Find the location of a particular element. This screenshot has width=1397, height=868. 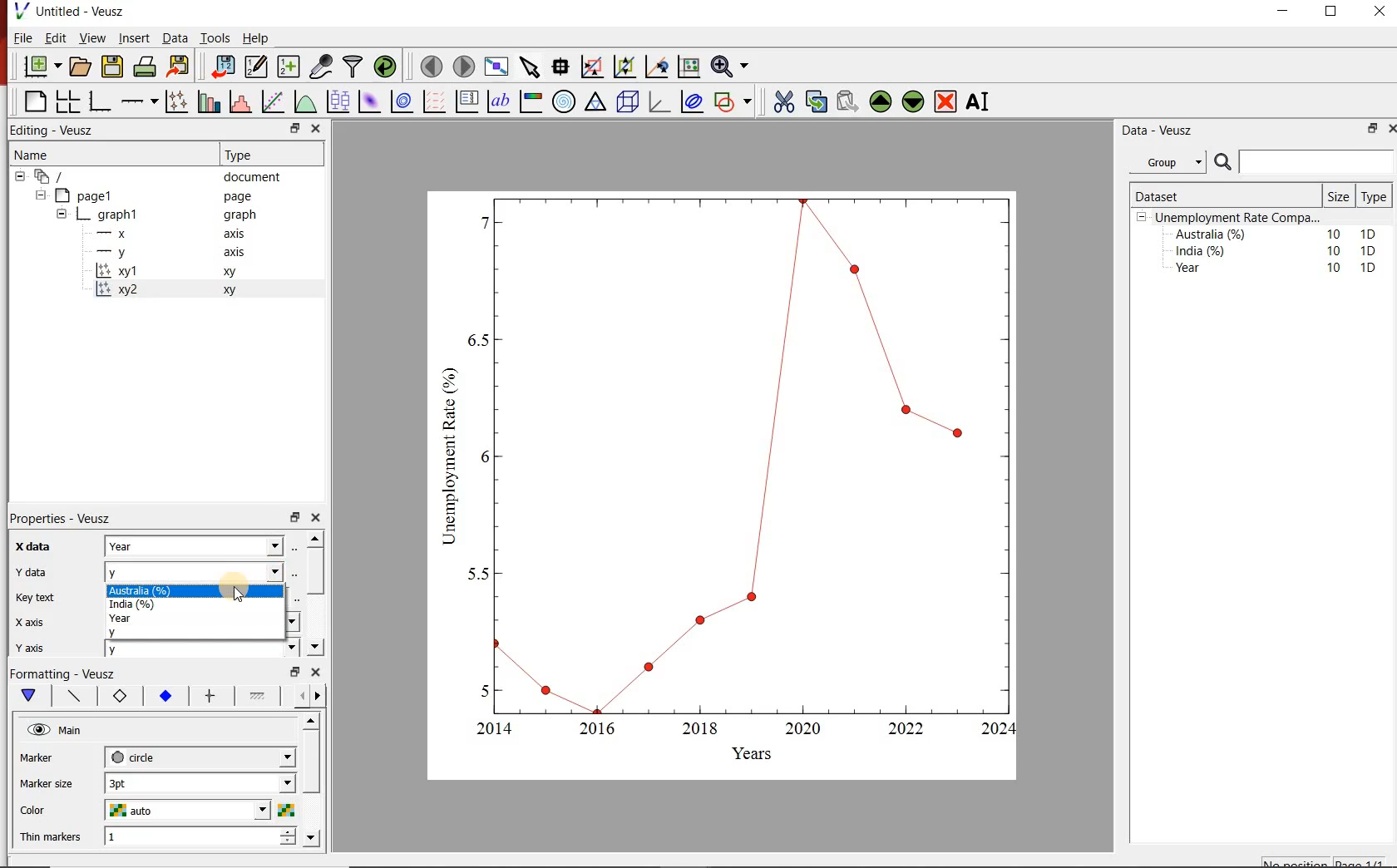

move up is located at coordinates (315, 538).